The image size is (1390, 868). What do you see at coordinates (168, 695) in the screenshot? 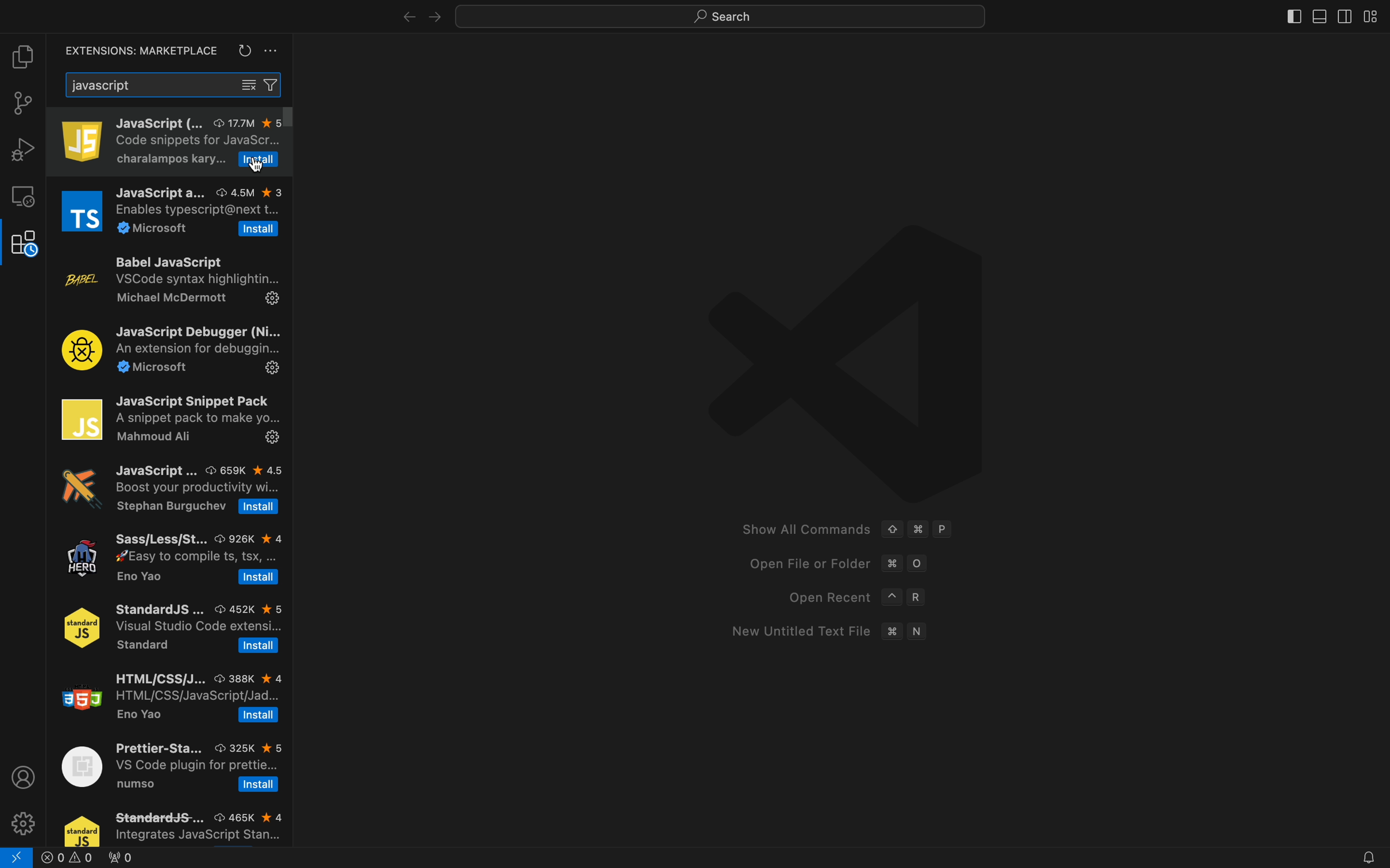
I see `HTML/CSS/J... 388K * 4
HTML/CSS/JavaScript/Jad...
Eno Yao Install` at bounding box center [168, 695].